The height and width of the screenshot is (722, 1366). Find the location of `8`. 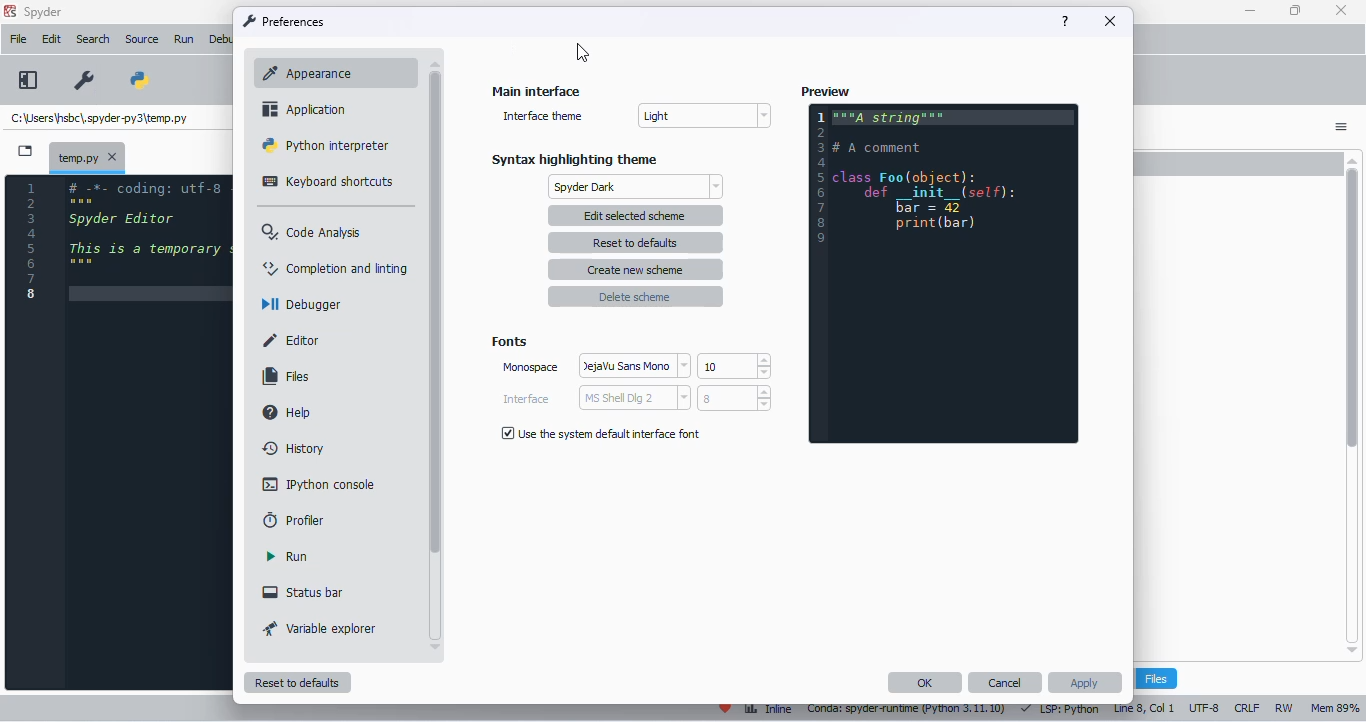

8 is located at coordinates (735, 398).